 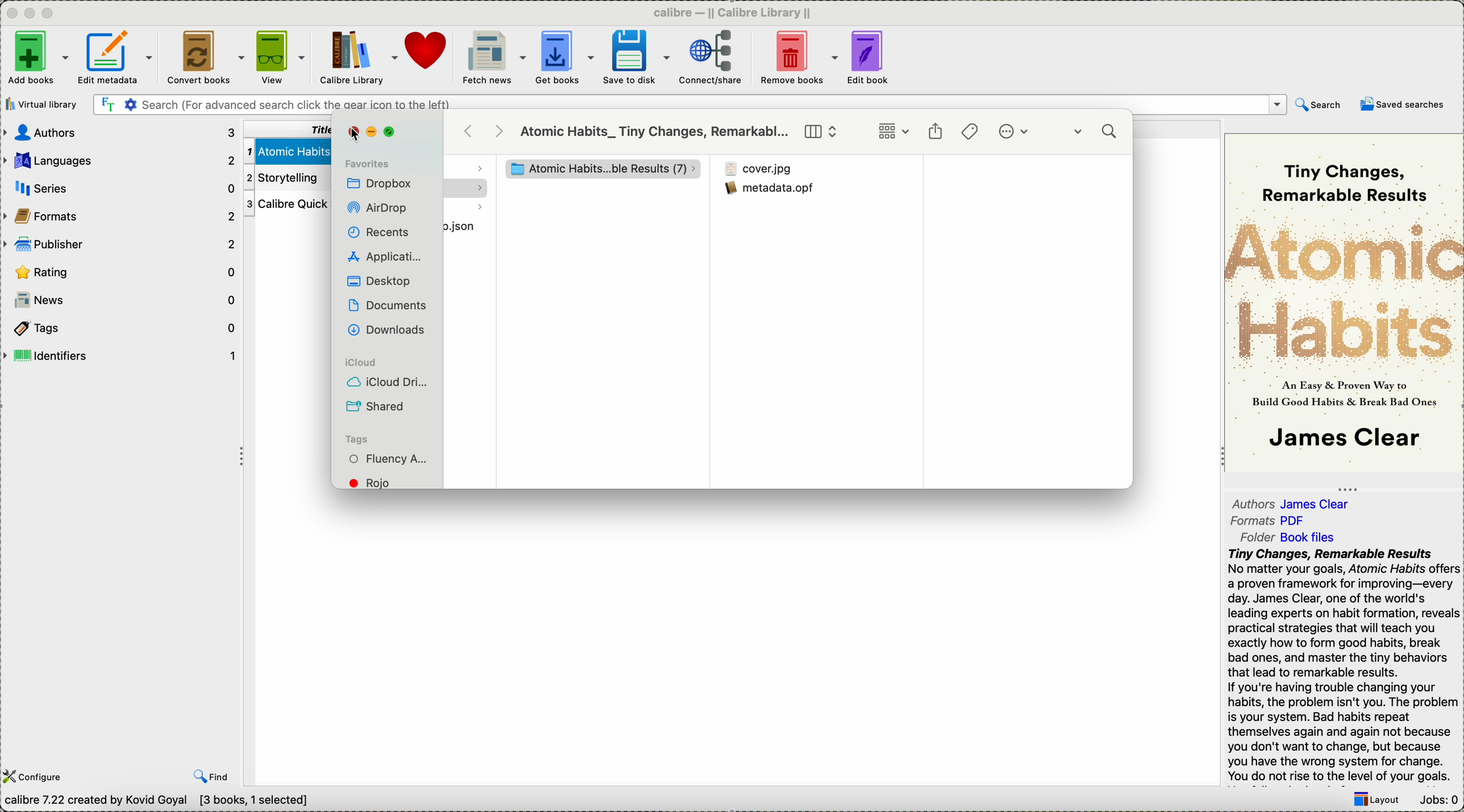 What do you see at coordinates (36, 777) in the screenshot?
I see `configure` at bounding box center [36, 777].